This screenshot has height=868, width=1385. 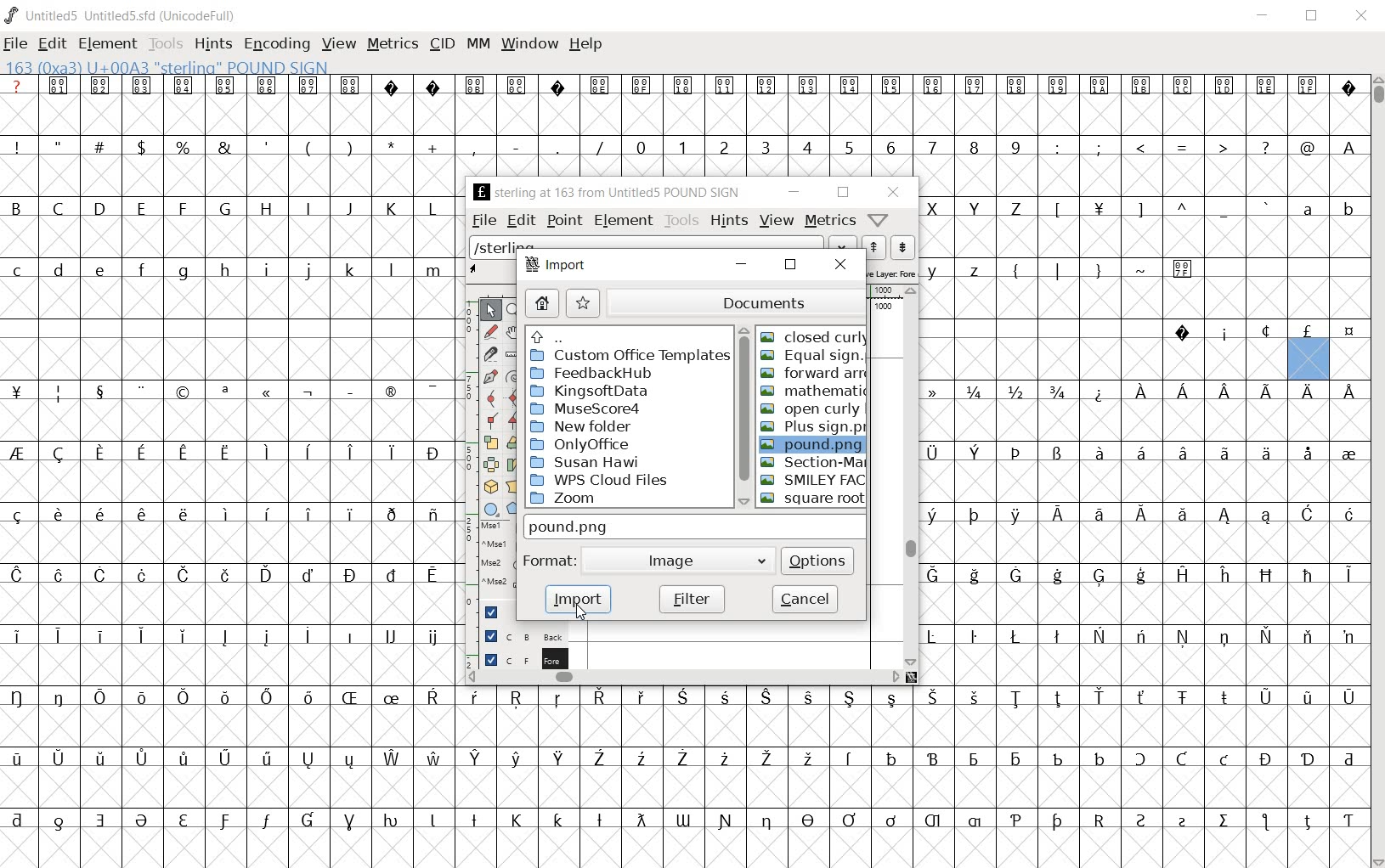 What do you see at coordinates (1098, 211) in the screenshot?
I see `Symbol` at bounding box center [1098, 211].